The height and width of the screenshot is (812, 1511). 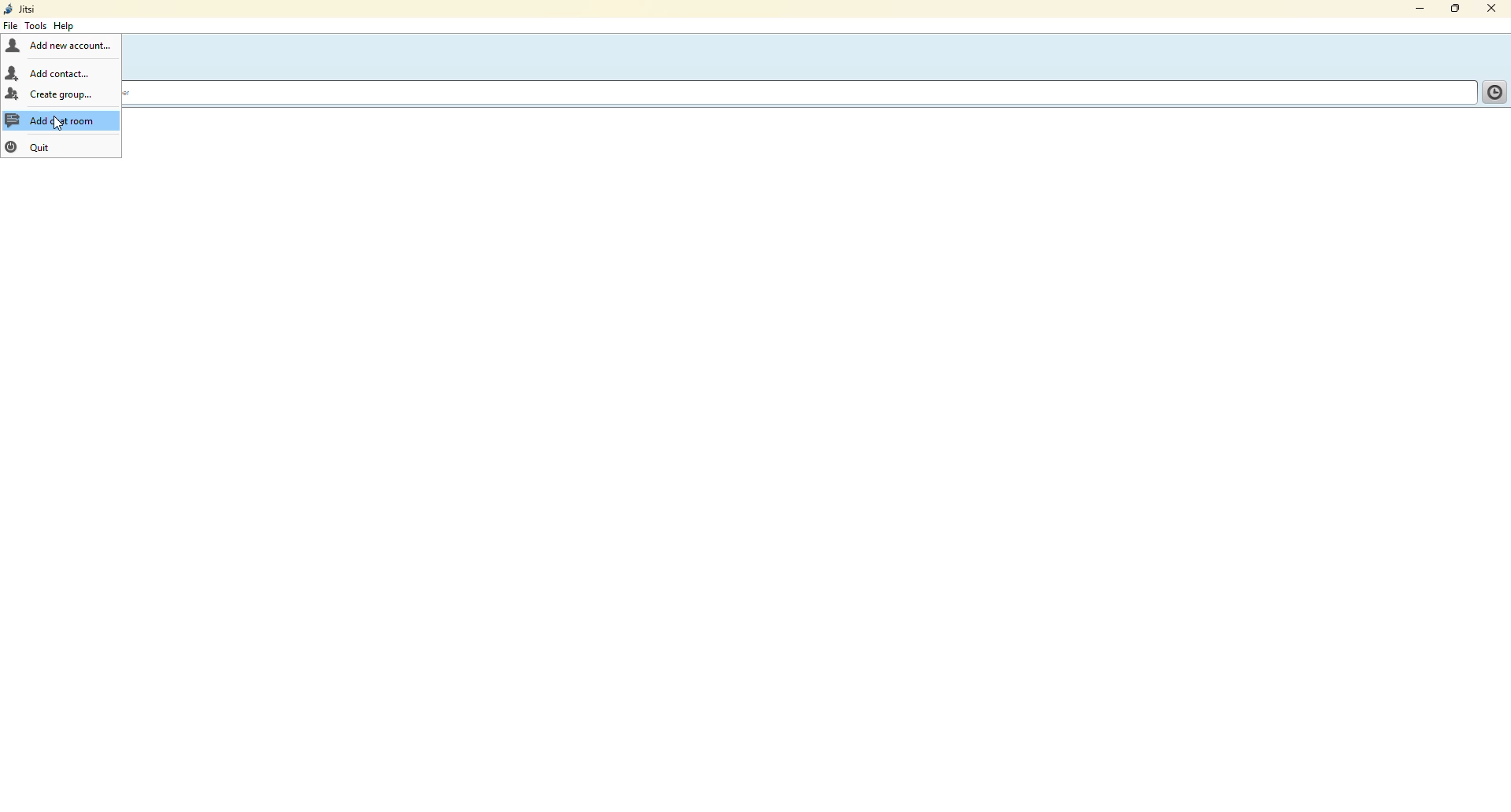 What do you see at coordinates (64, 95) in the screenshot?
I see `create group` at bounding box center [64, 95].